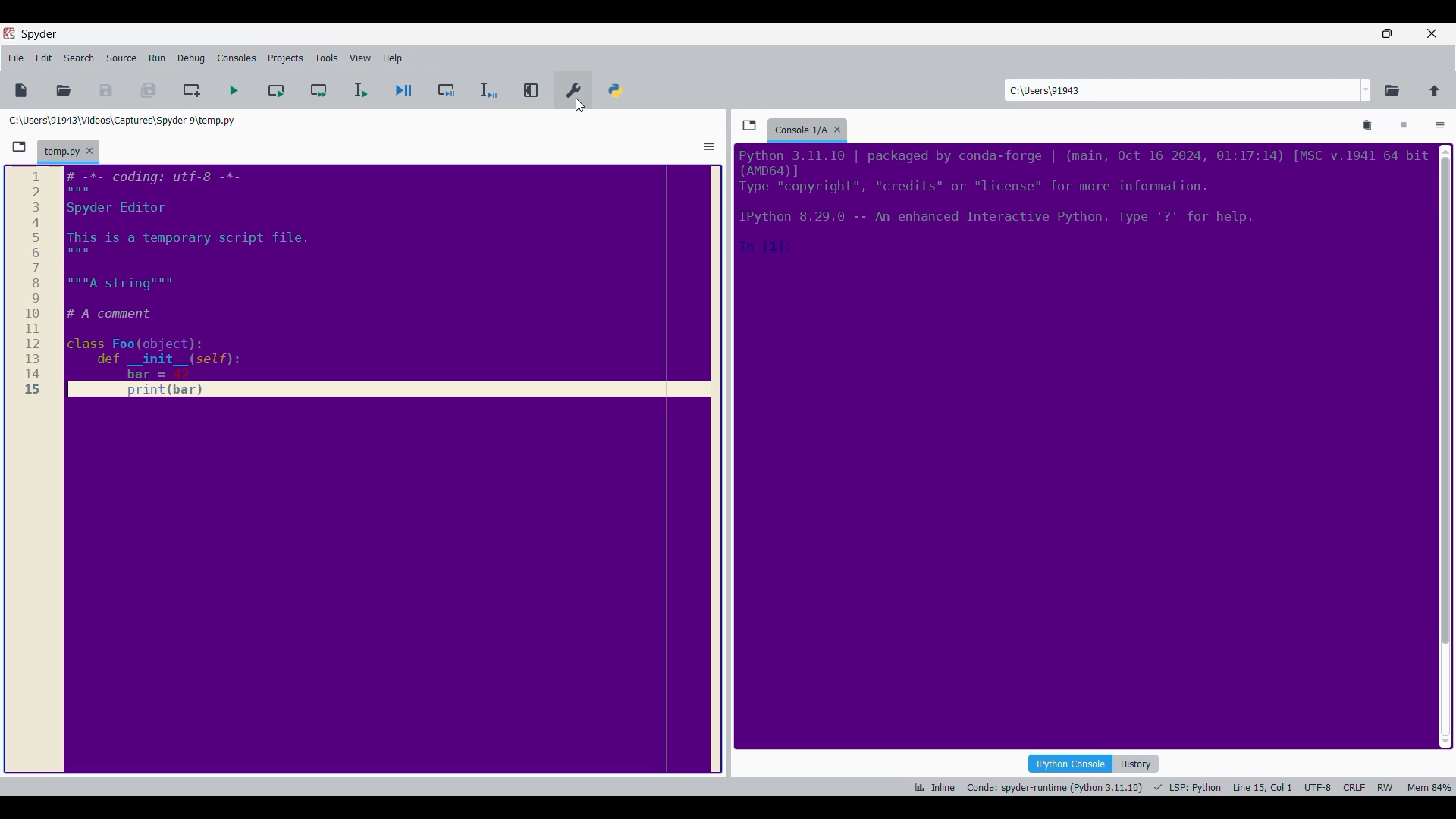 The width and height of the screenshot is (1456, 819). What do you see at coordinates (1384, 786) in the screenshot?
I see `RW` at bounding box center [1384, 786].